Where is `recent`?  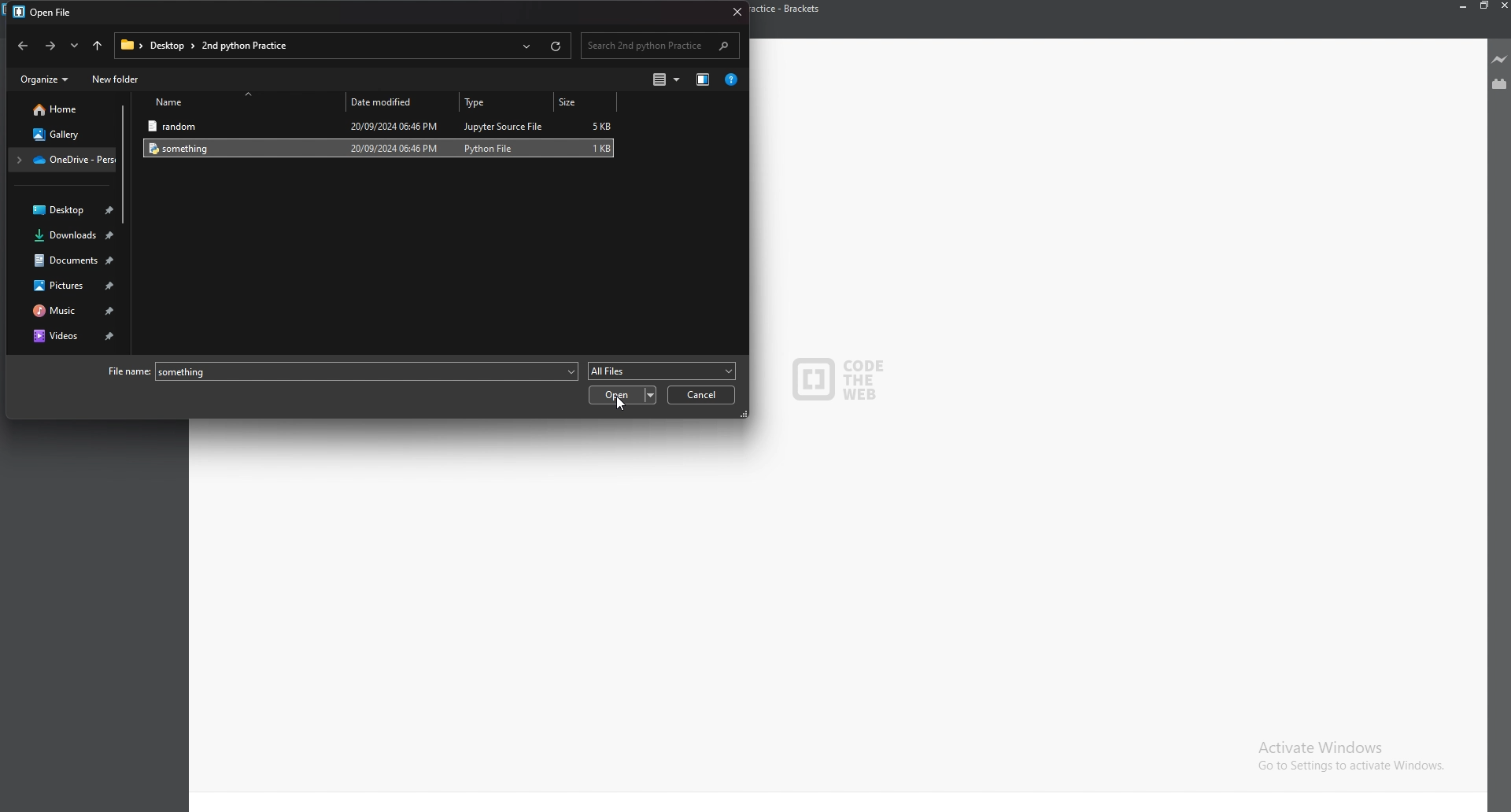 recent is located at coordinates (73, 45).